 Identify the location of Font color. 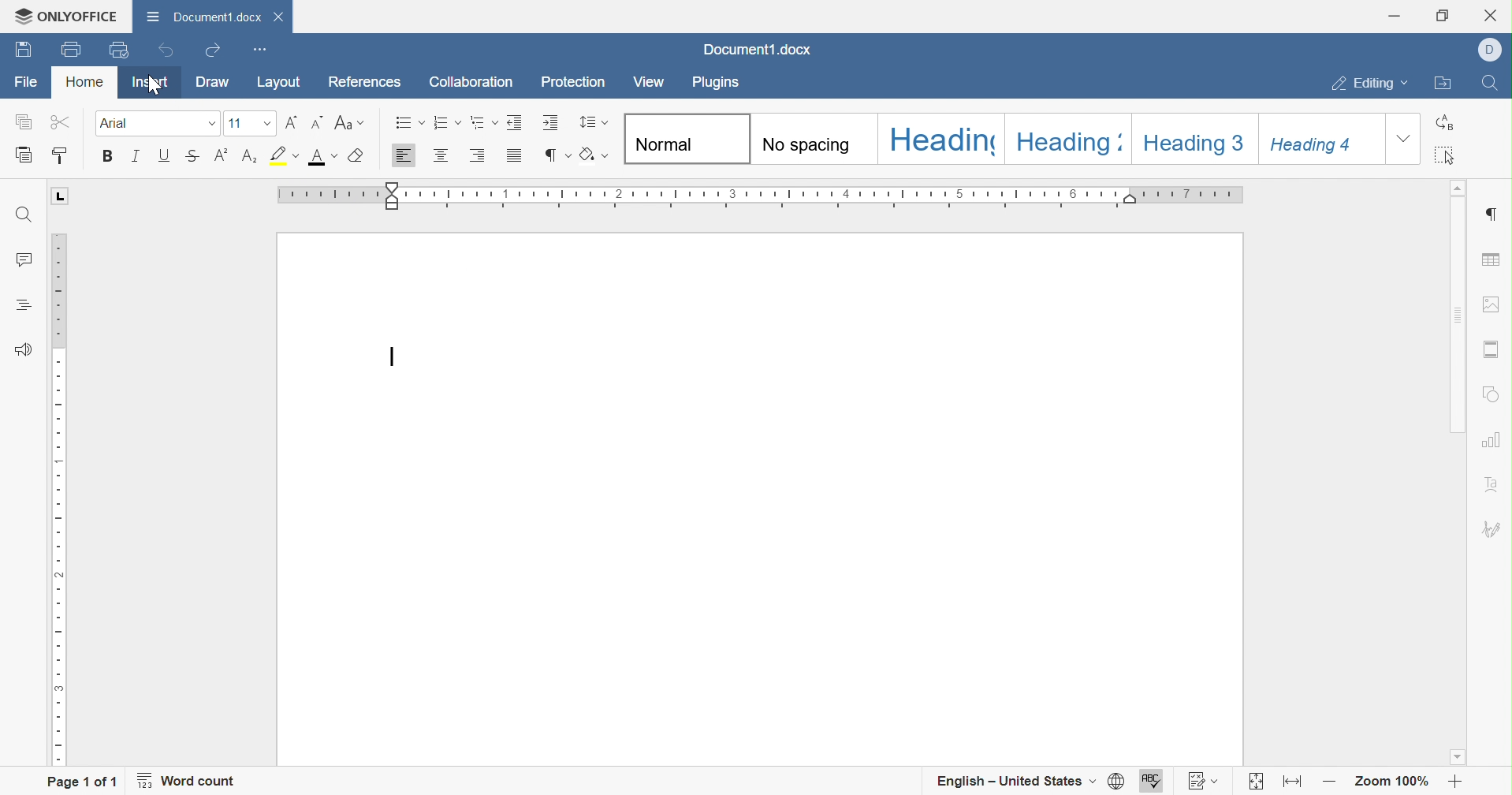
(322, 159).